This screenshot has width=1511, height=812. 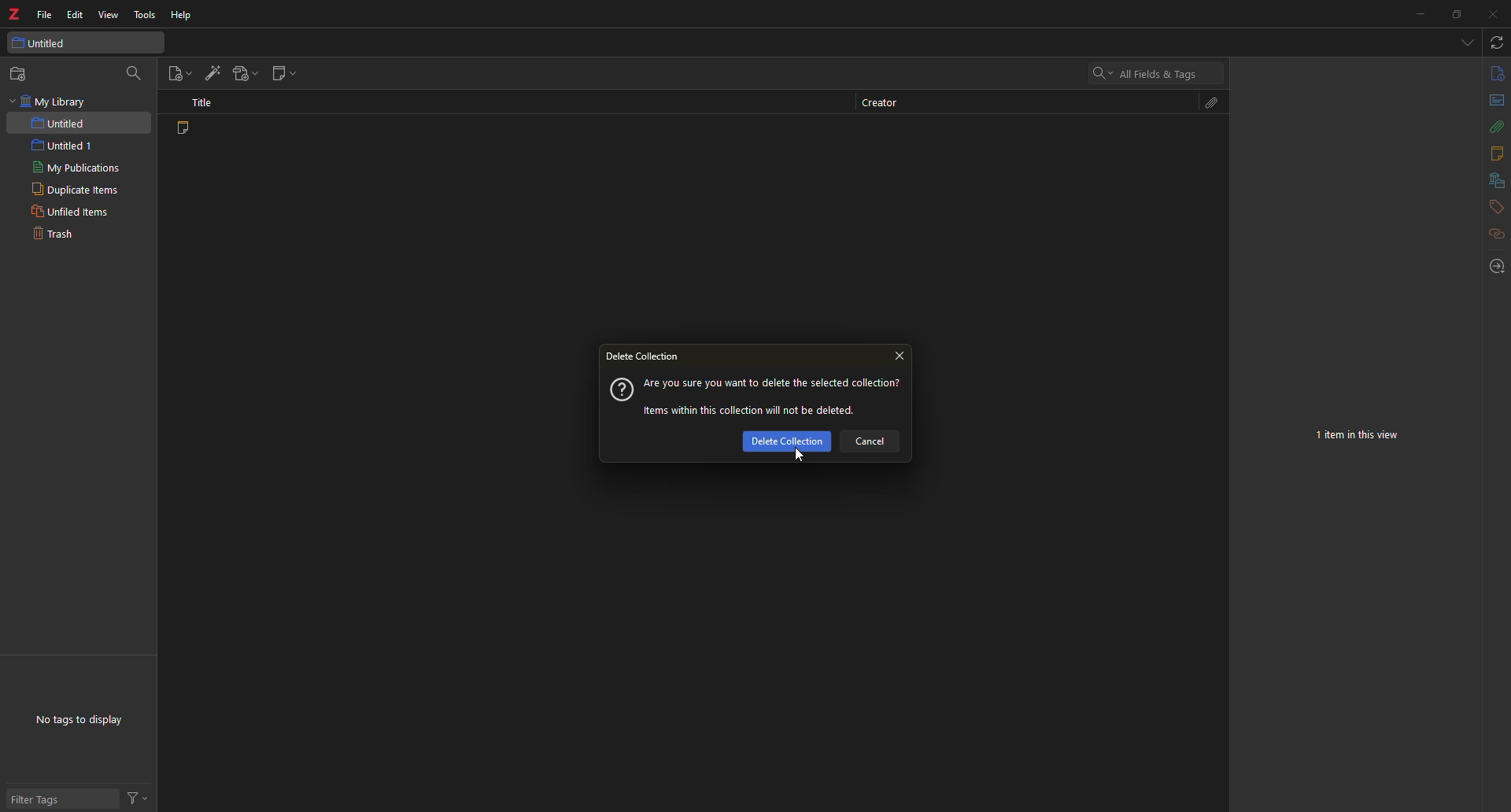 I want to click on untitled, so click(x=39, y=42).